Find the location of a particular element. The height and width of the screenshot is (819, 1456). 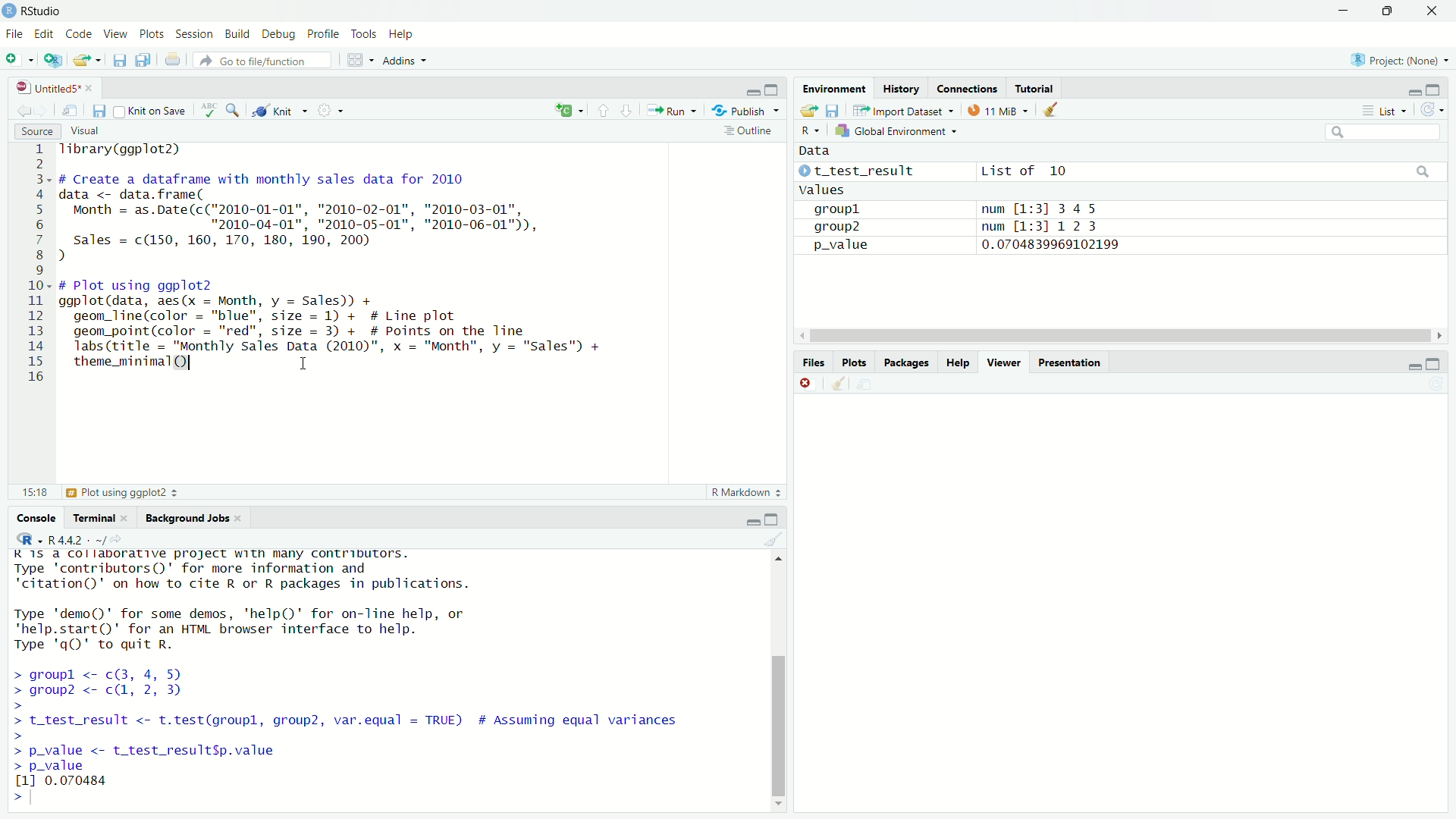

Values is located at coordinates (821, 190).